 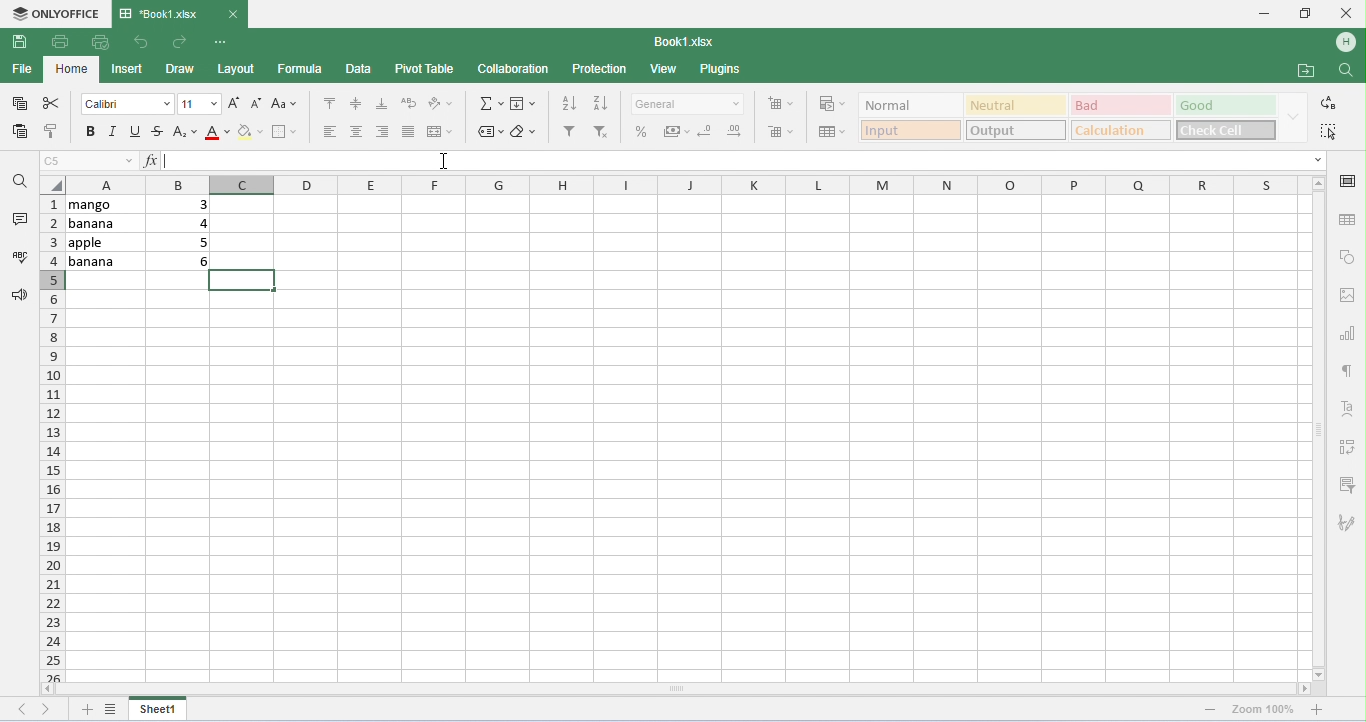 I want to click on signature, so click(x=1346, y=524).